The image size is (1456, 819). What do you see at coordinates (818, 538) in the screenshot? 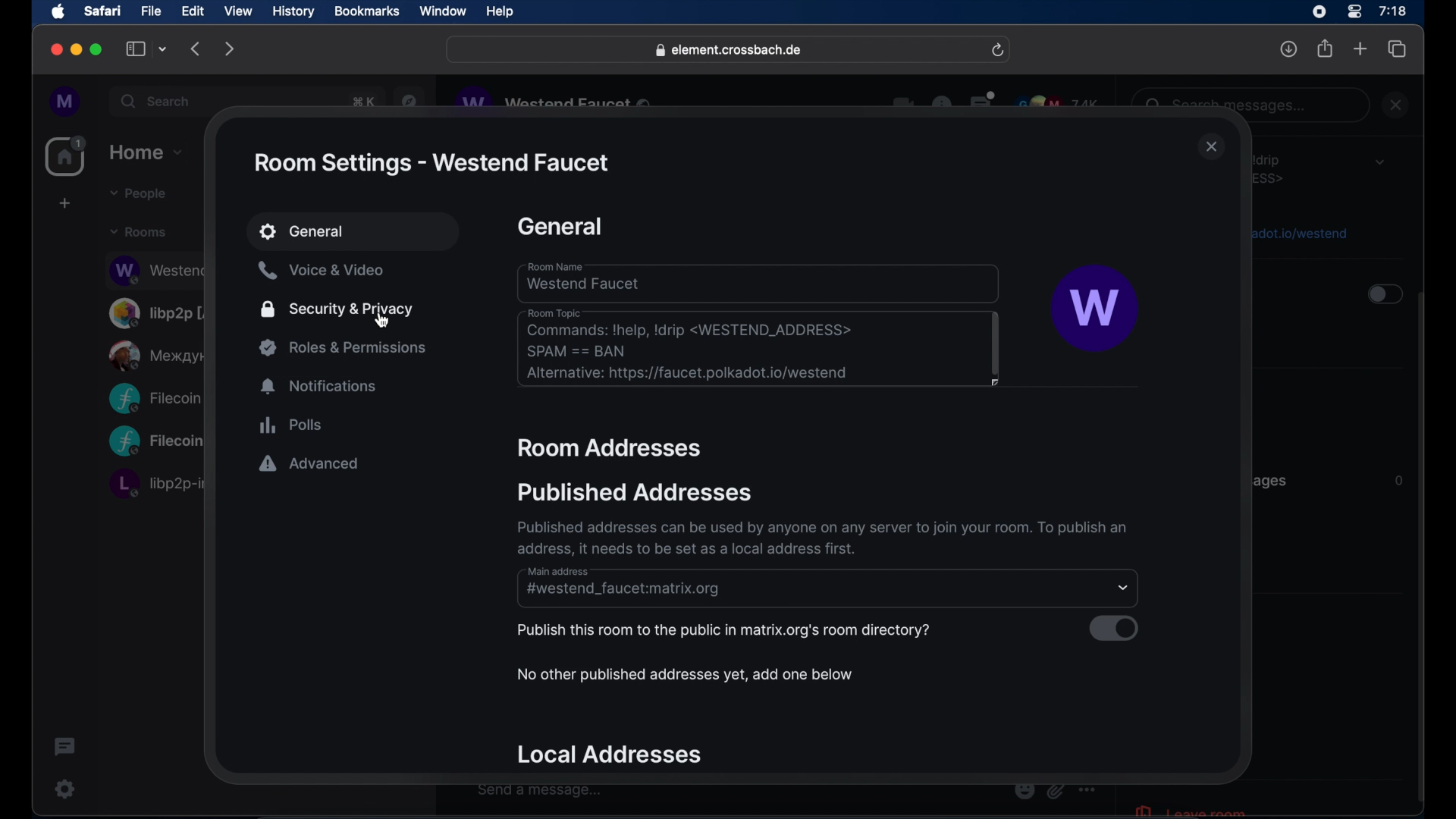
I see `info` at bounding box center [818, 538].